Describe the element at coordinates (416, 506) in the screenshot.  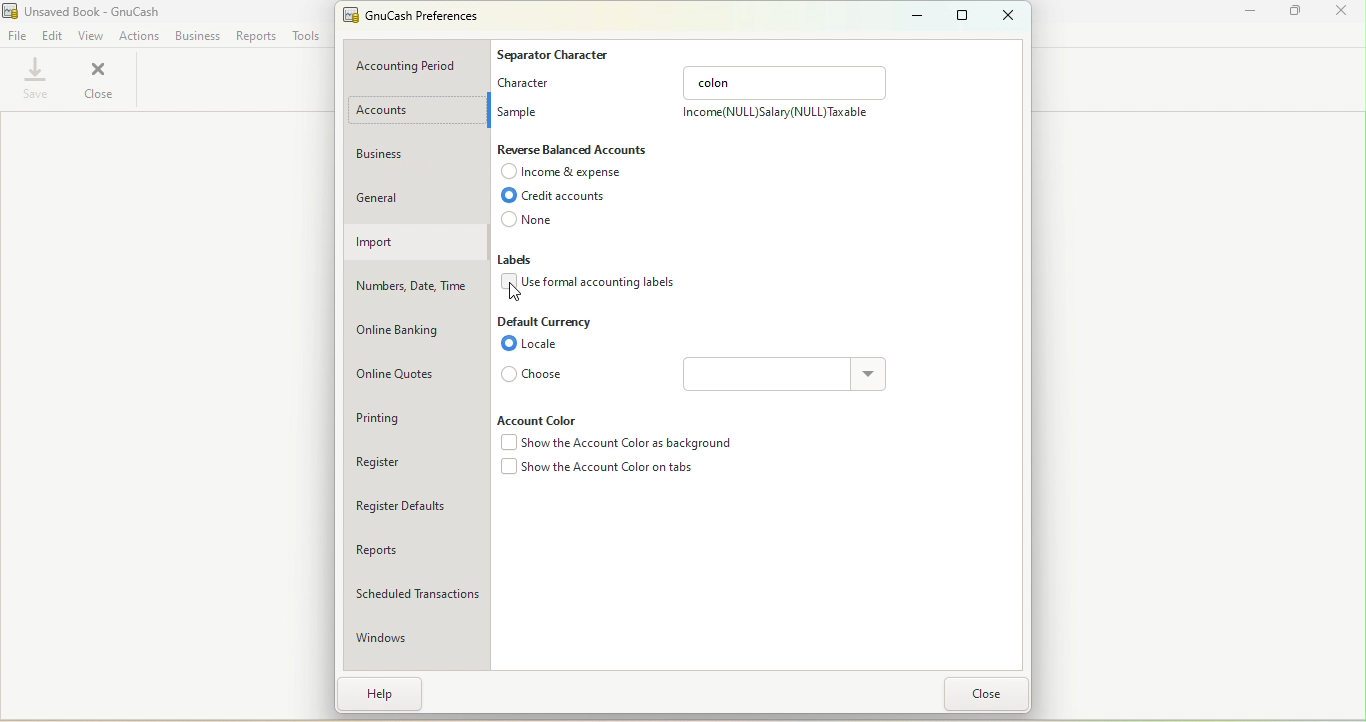
I see `Register defaults` at that location.